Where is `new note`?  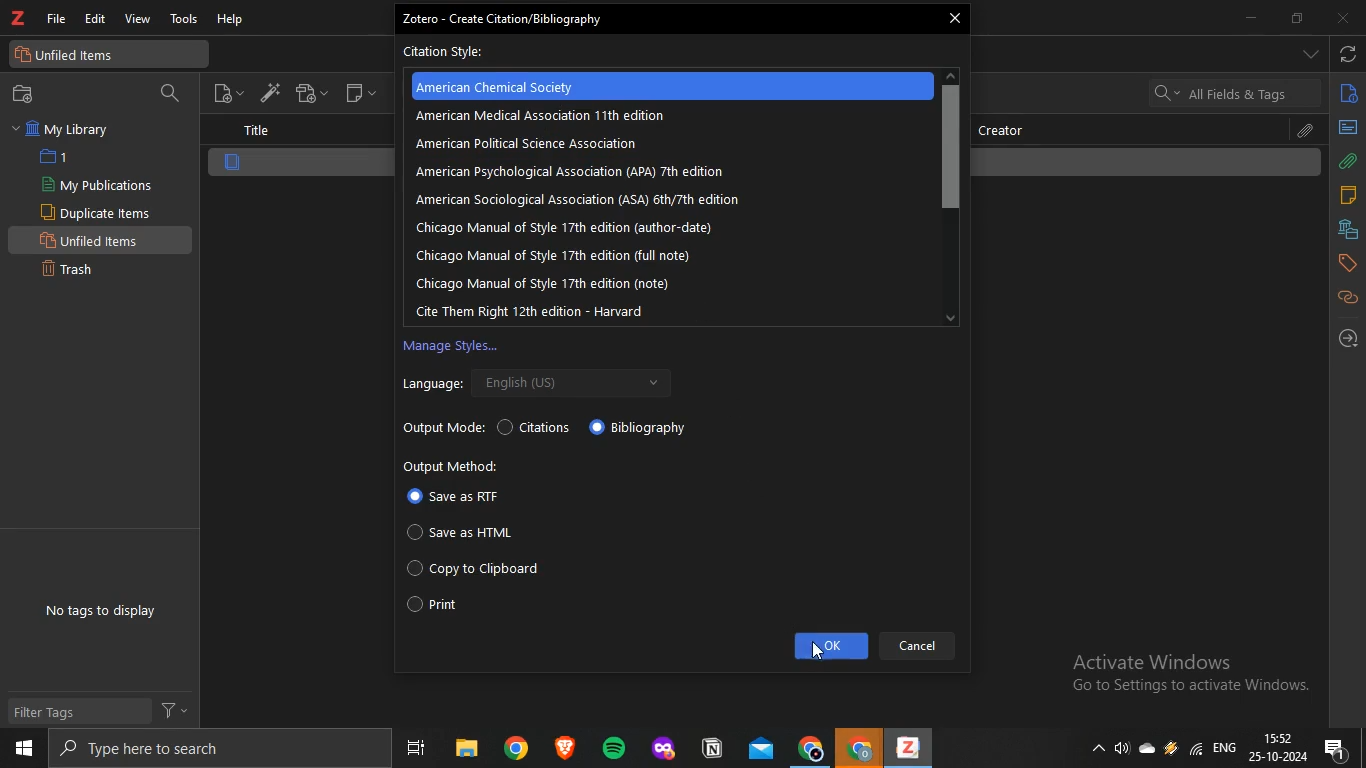
new note is located at coordinates (361, 92).